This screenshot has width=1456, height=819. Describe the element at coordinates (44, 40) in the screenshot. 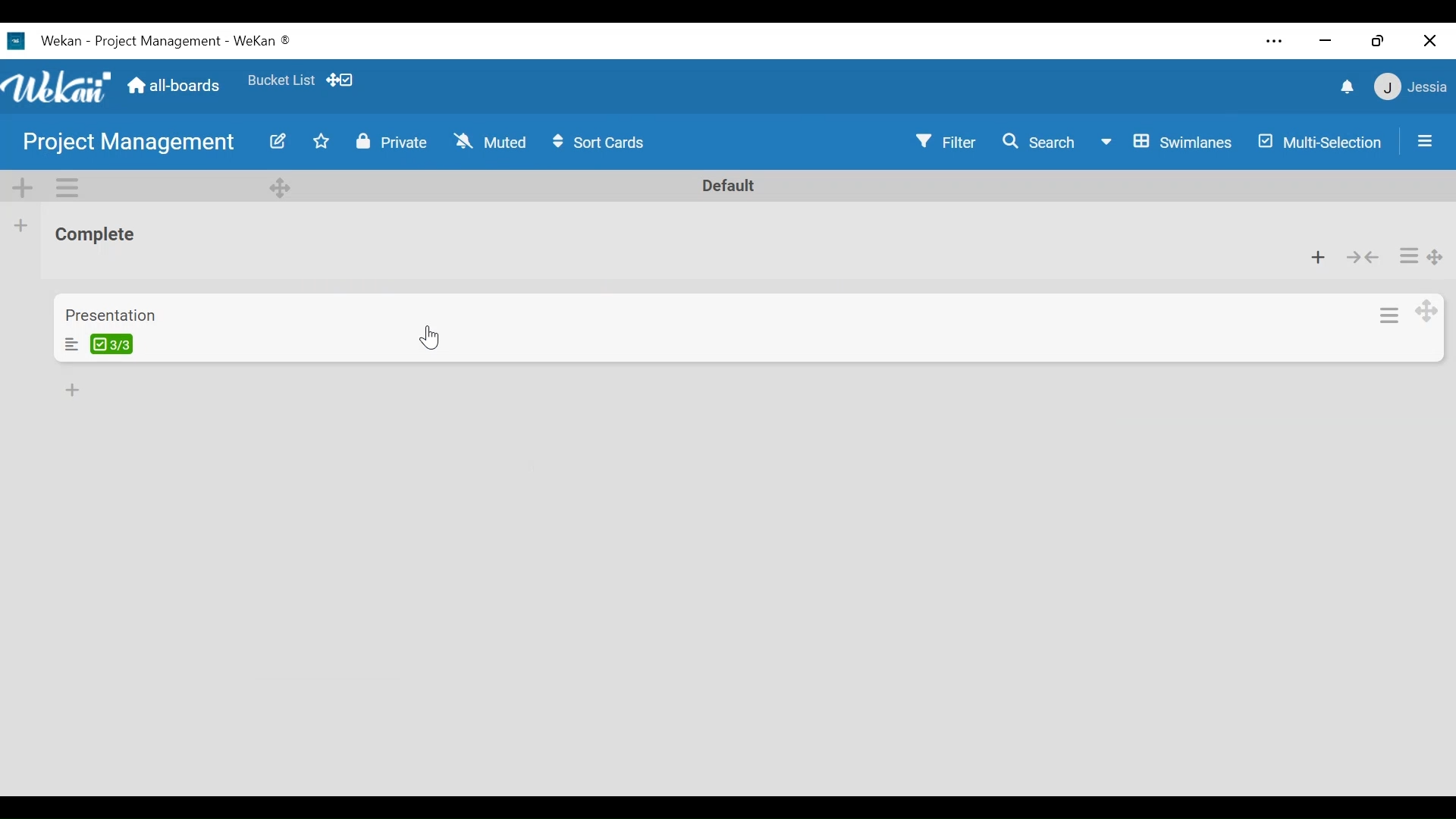

I see `Wekan Desktop icon` at that location.